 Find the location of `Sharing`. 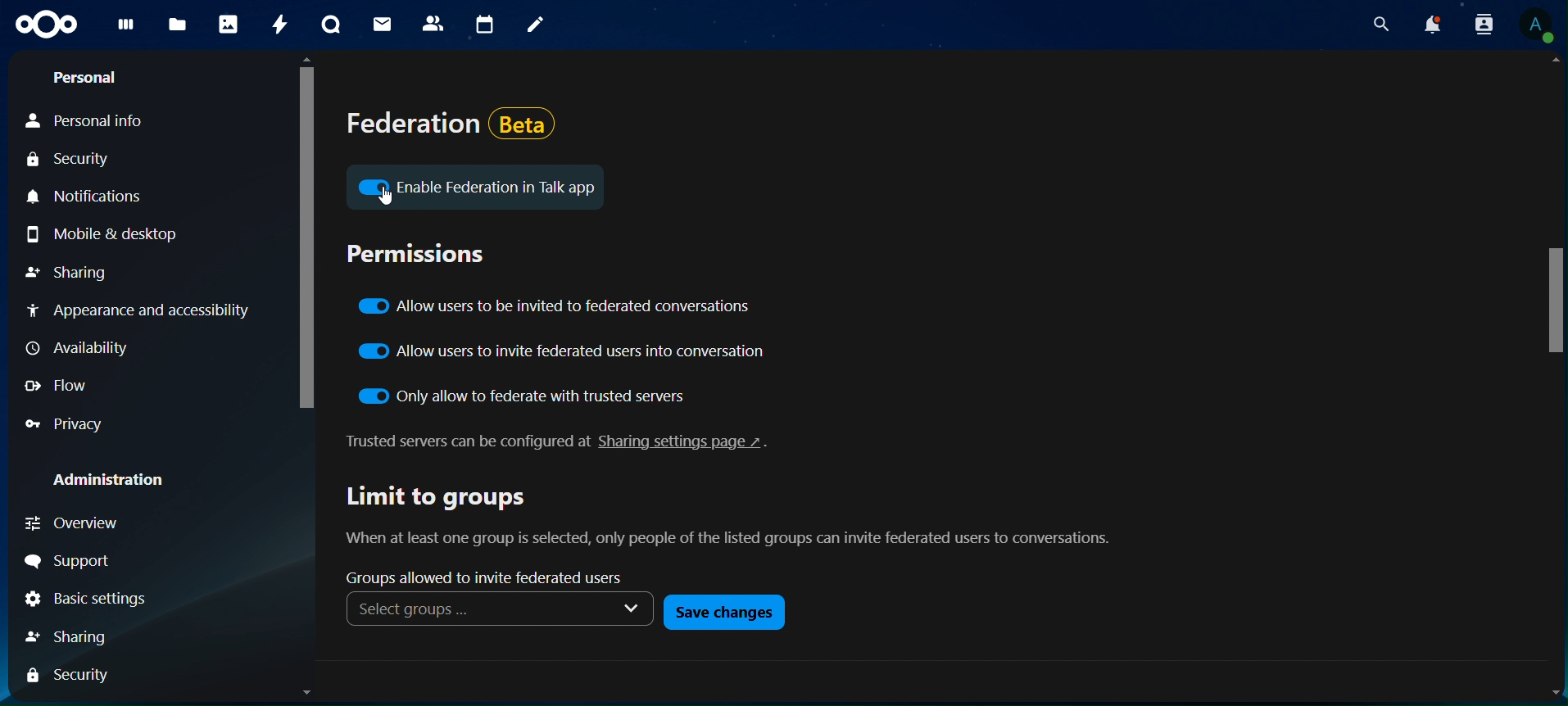

Sharing is located at coordinates (67, 274).